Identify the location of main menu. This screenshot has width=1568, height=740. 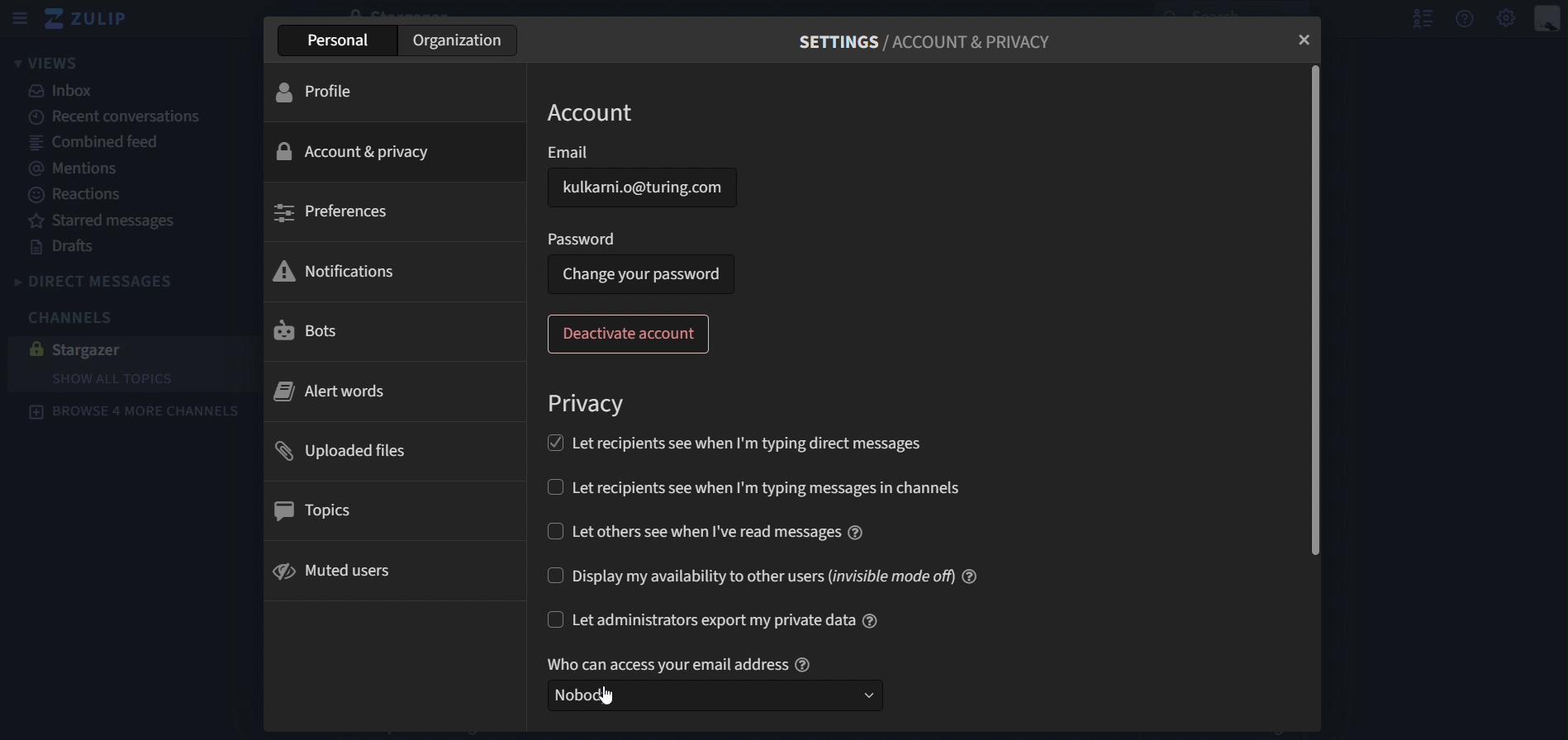
(1504, 20).